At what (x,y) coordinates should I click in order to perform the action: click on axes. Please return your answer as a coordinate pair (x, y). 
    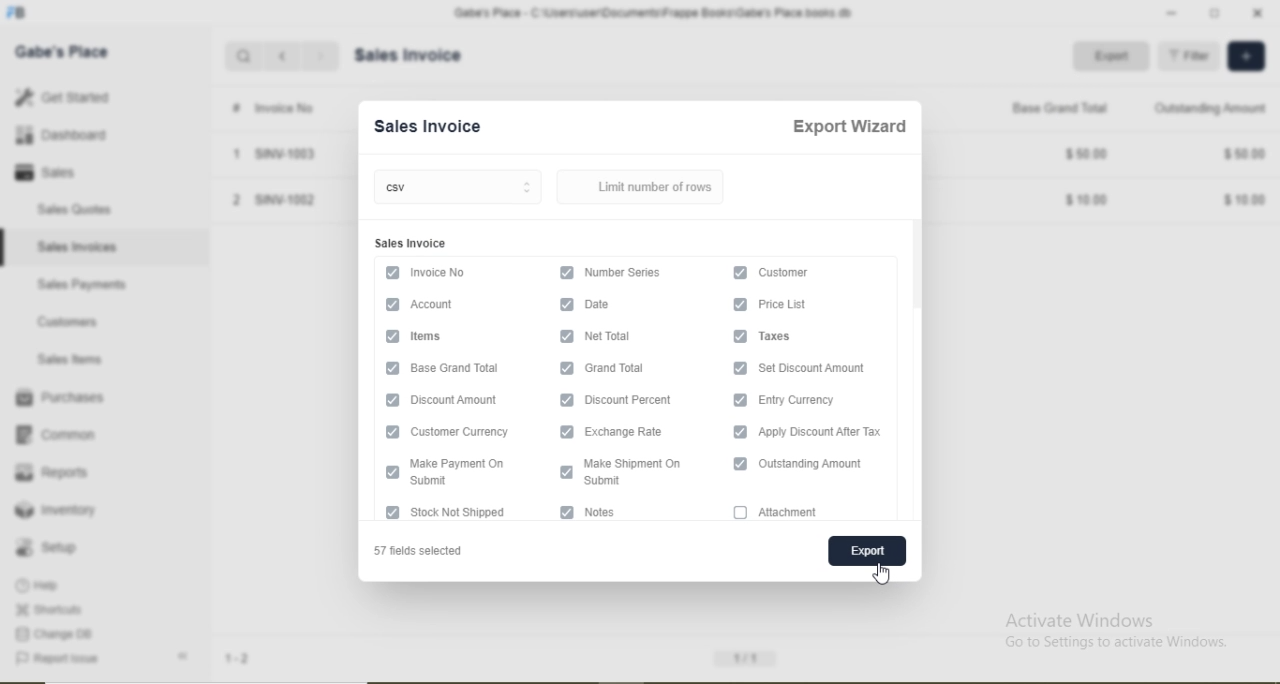
    Looking at the image, I should click on (790, 337).